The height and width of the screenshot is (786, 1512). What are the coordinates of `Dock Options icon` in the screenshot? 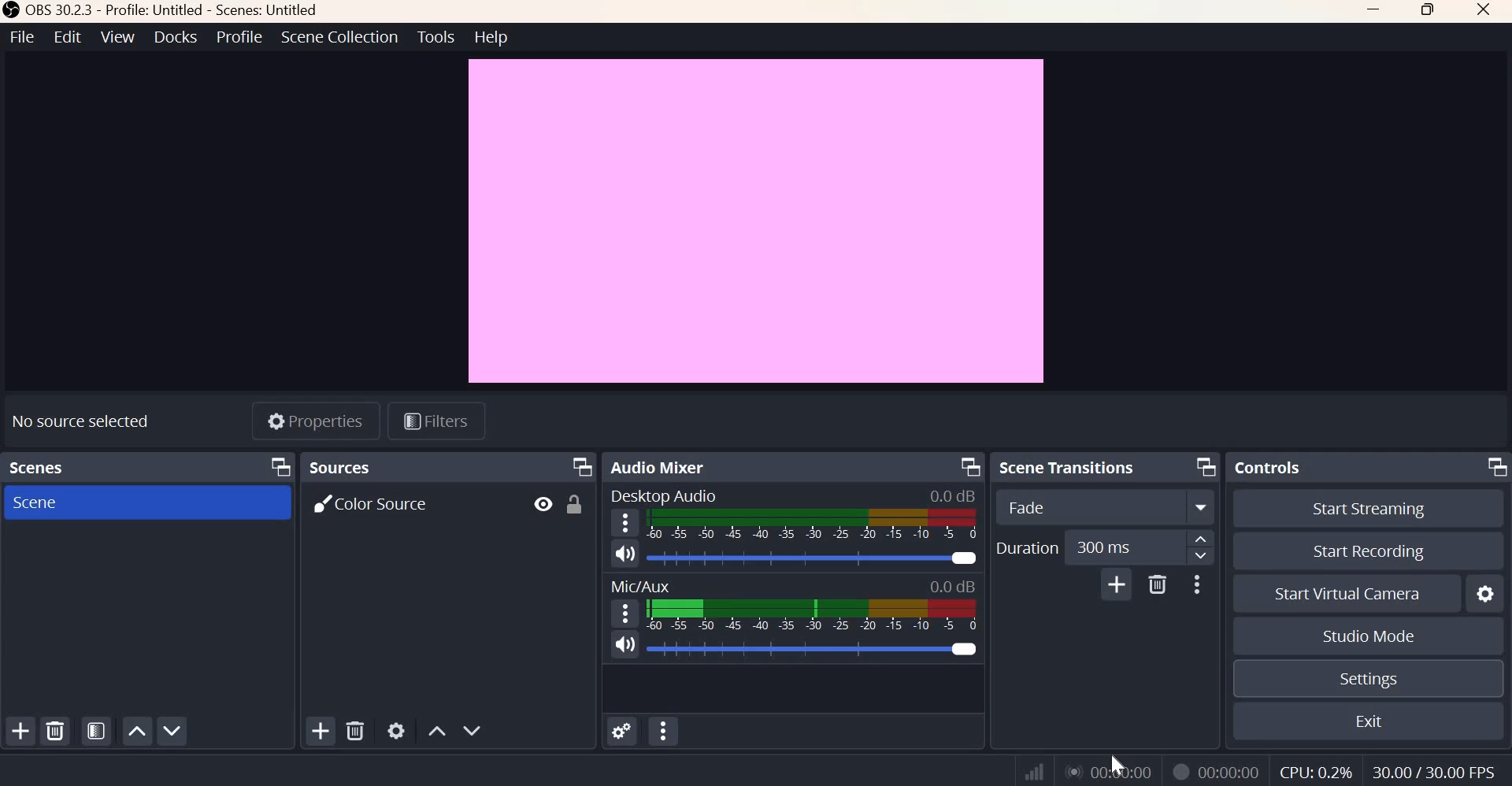 It's located at (1202, 468).